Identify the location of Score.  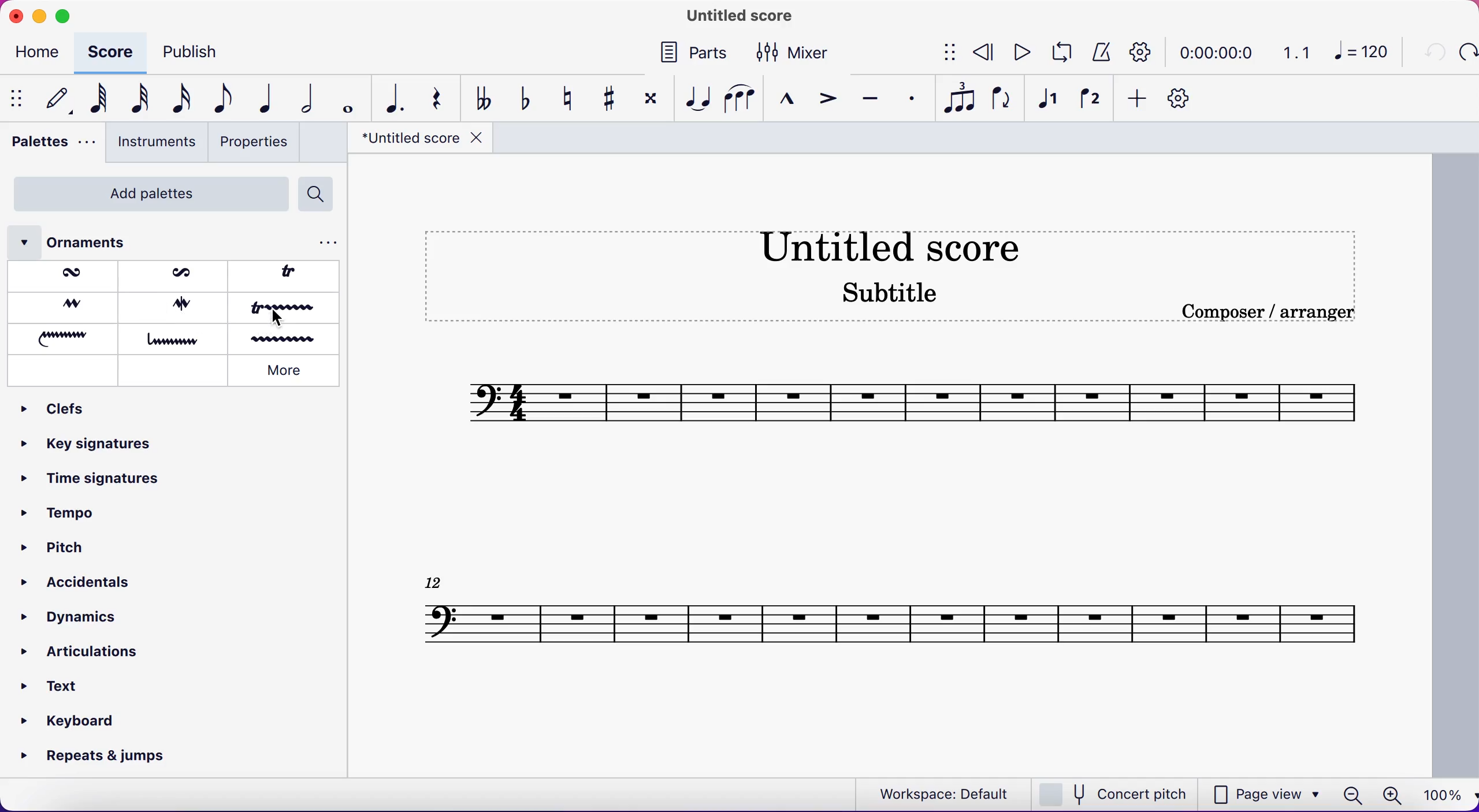
(891, 613).